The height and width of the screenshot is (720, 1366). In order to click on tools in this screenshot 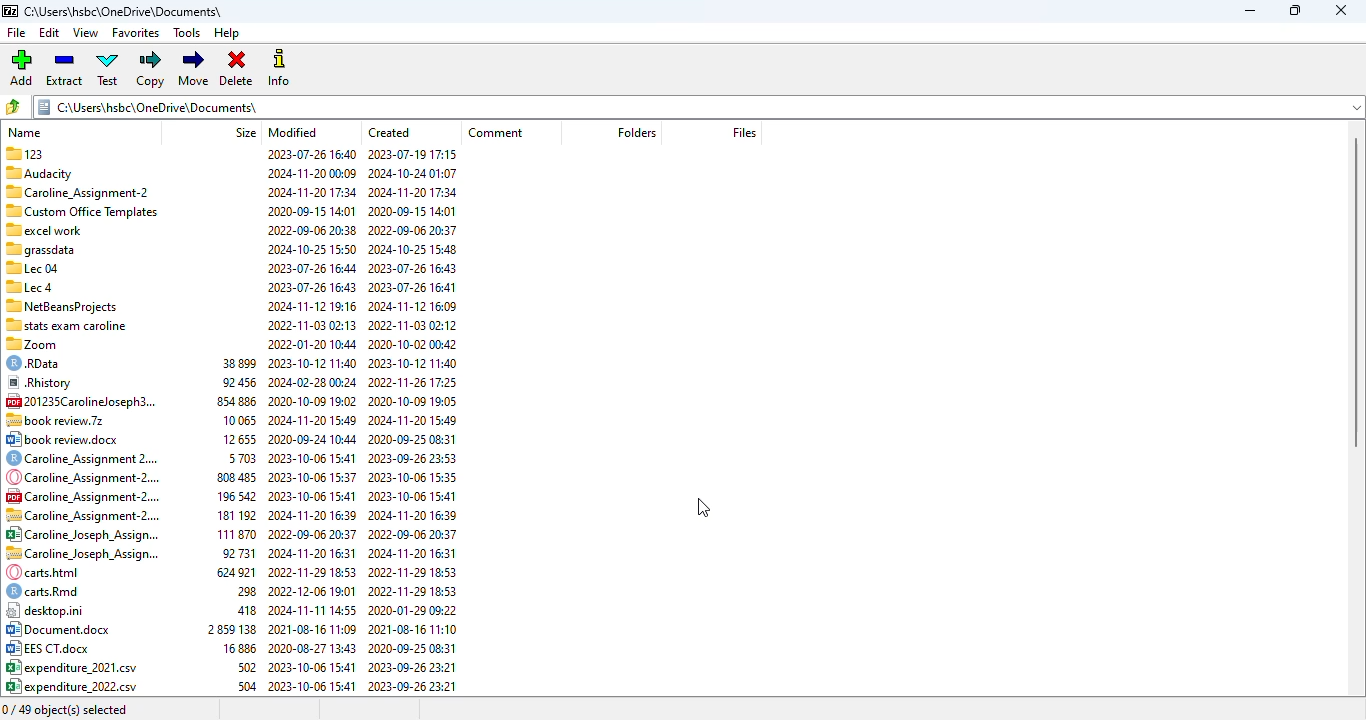, I will do `click(188, 33)`.